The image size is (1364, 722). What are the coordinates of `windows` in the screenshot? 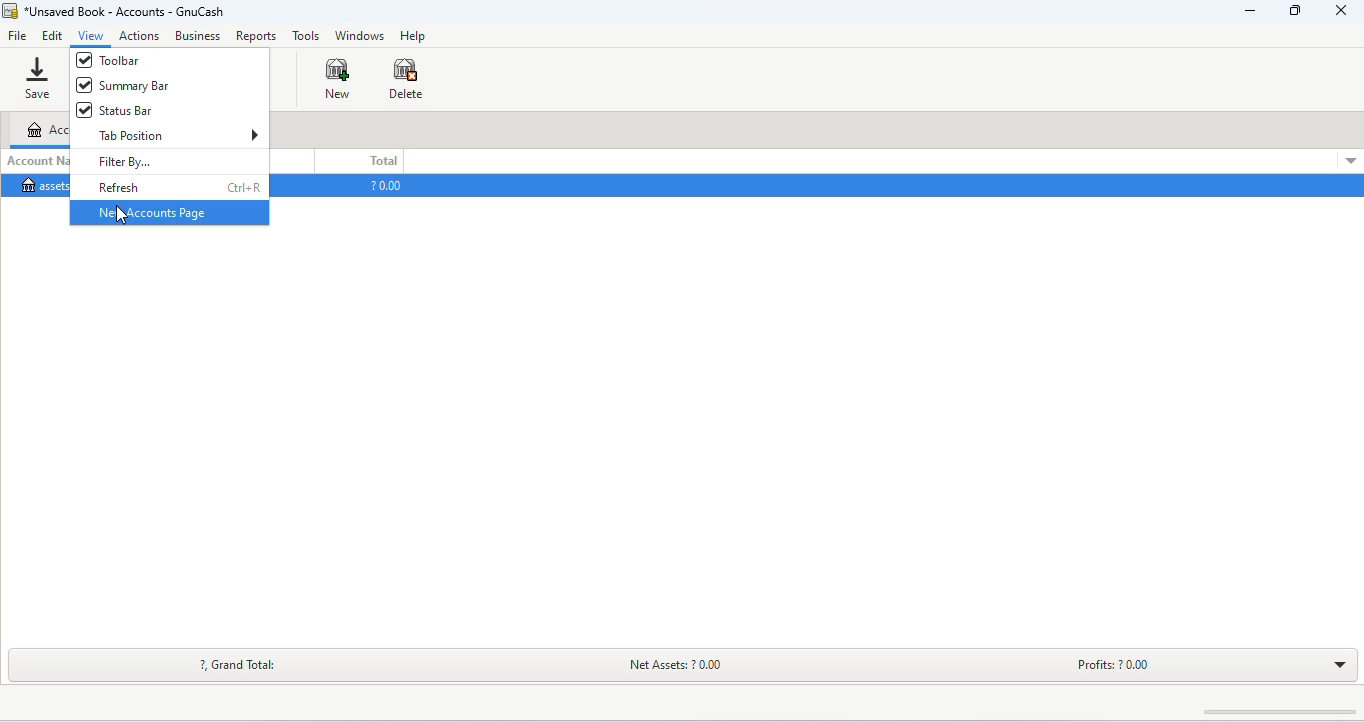 It's located at (361, 36).